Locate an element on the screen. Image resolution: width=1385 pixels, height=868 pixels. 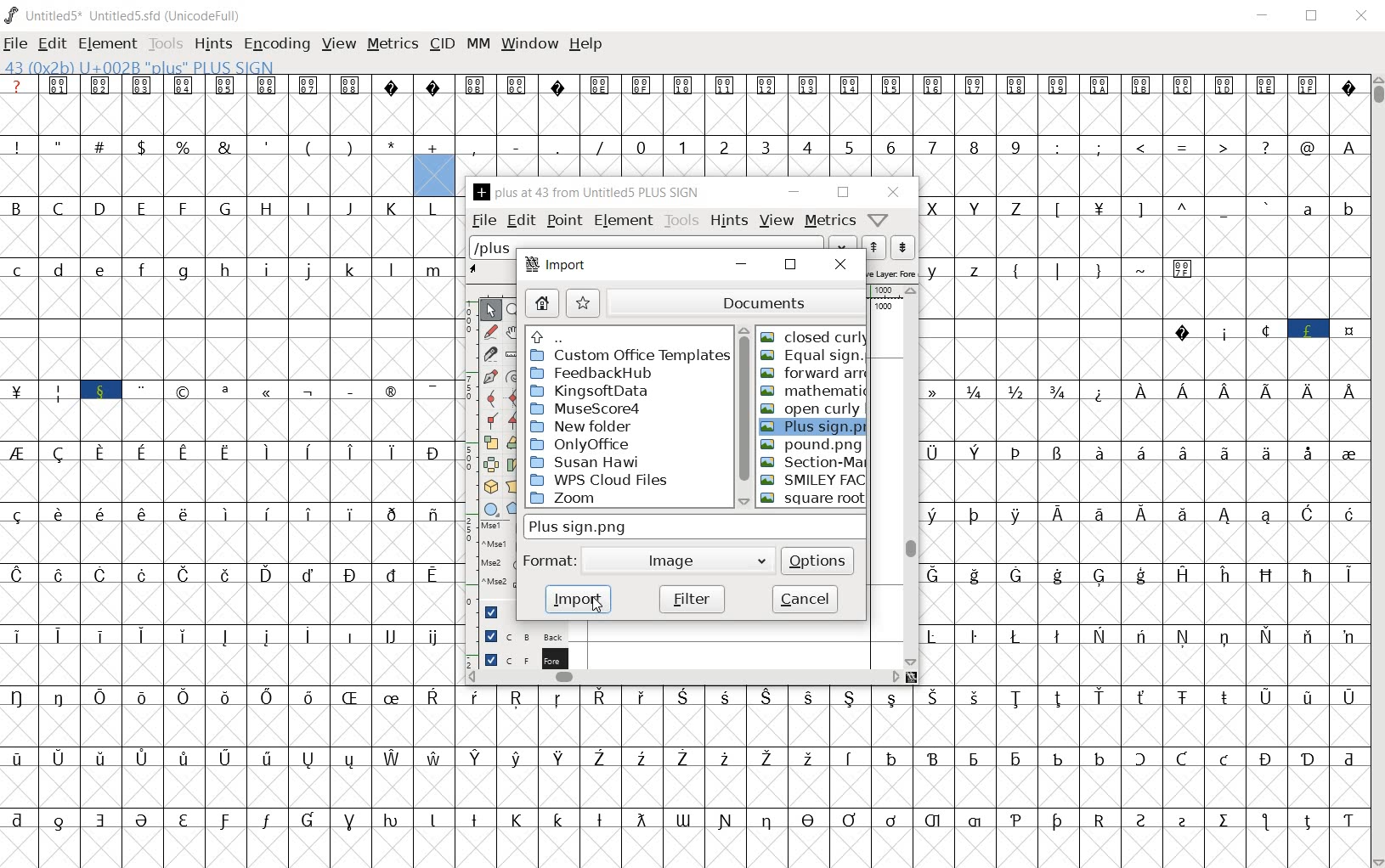
special characters is located at coordinates (82, 413).